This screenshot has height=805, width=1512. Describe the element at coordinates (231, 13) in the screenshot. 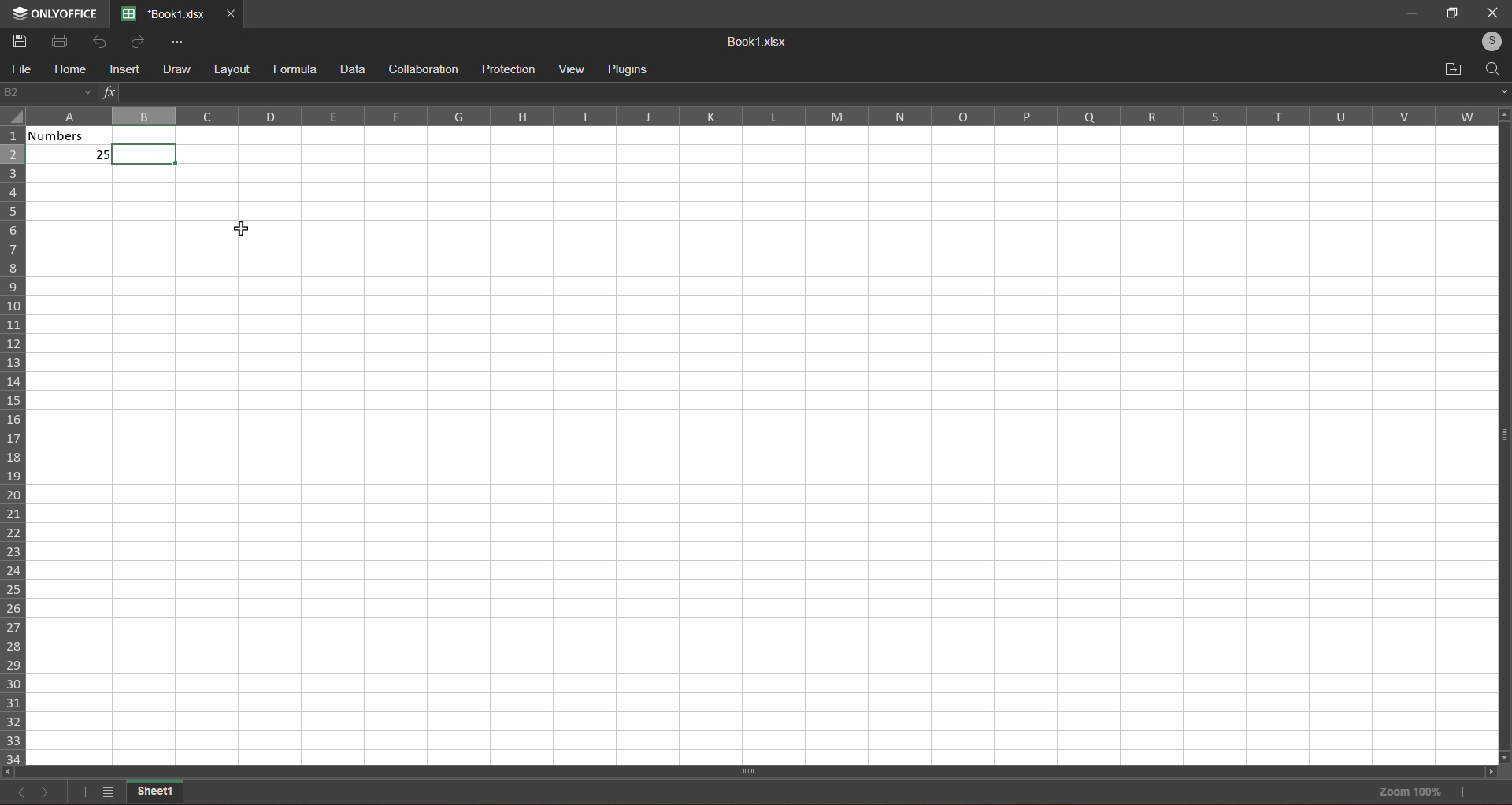

I see `close tab` at that location.